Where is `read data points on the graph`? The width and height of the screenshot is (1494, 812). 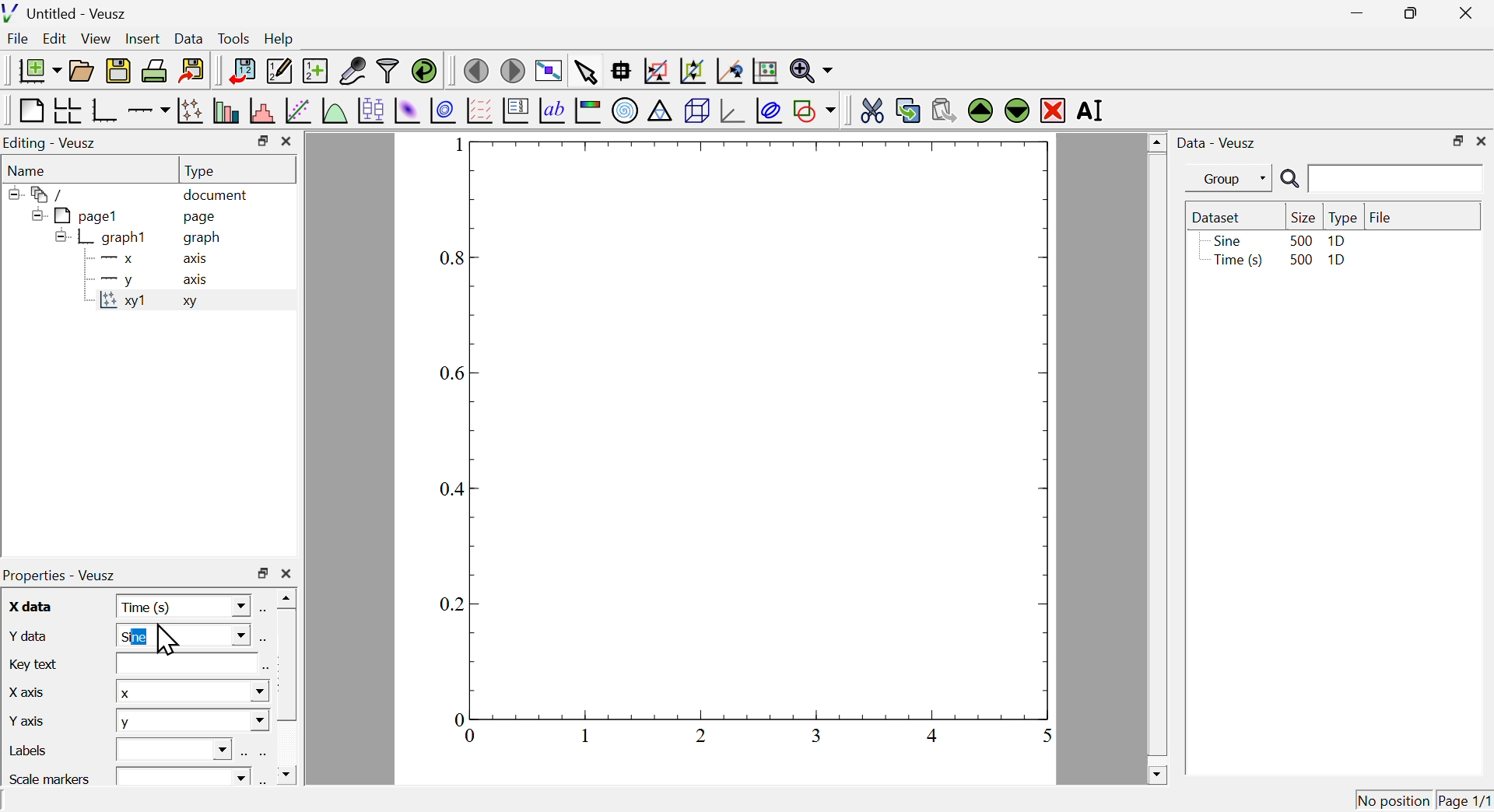 read data points on the graph is located at coordinates (622, 72).